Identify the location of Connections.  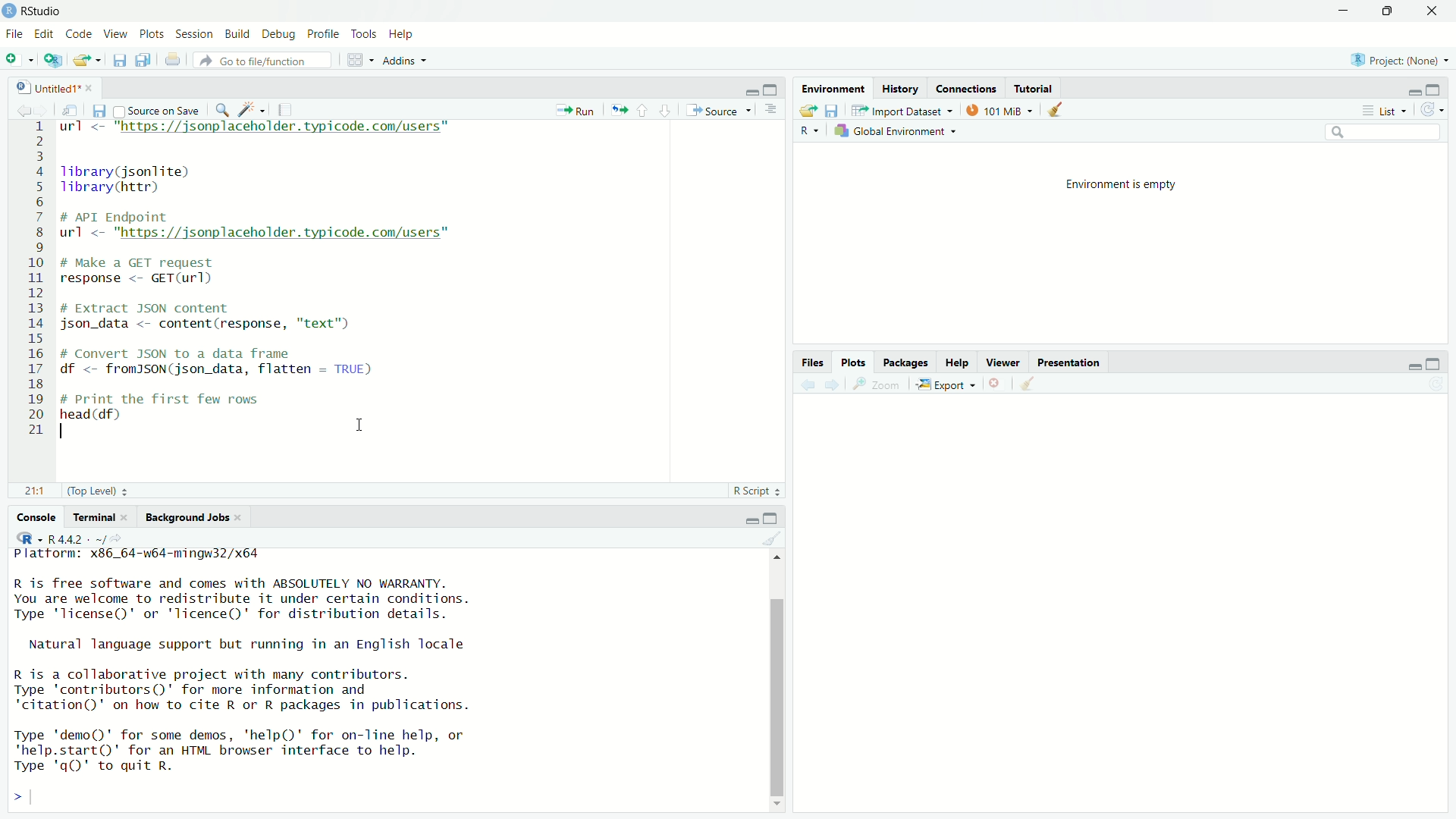
(965, 89).